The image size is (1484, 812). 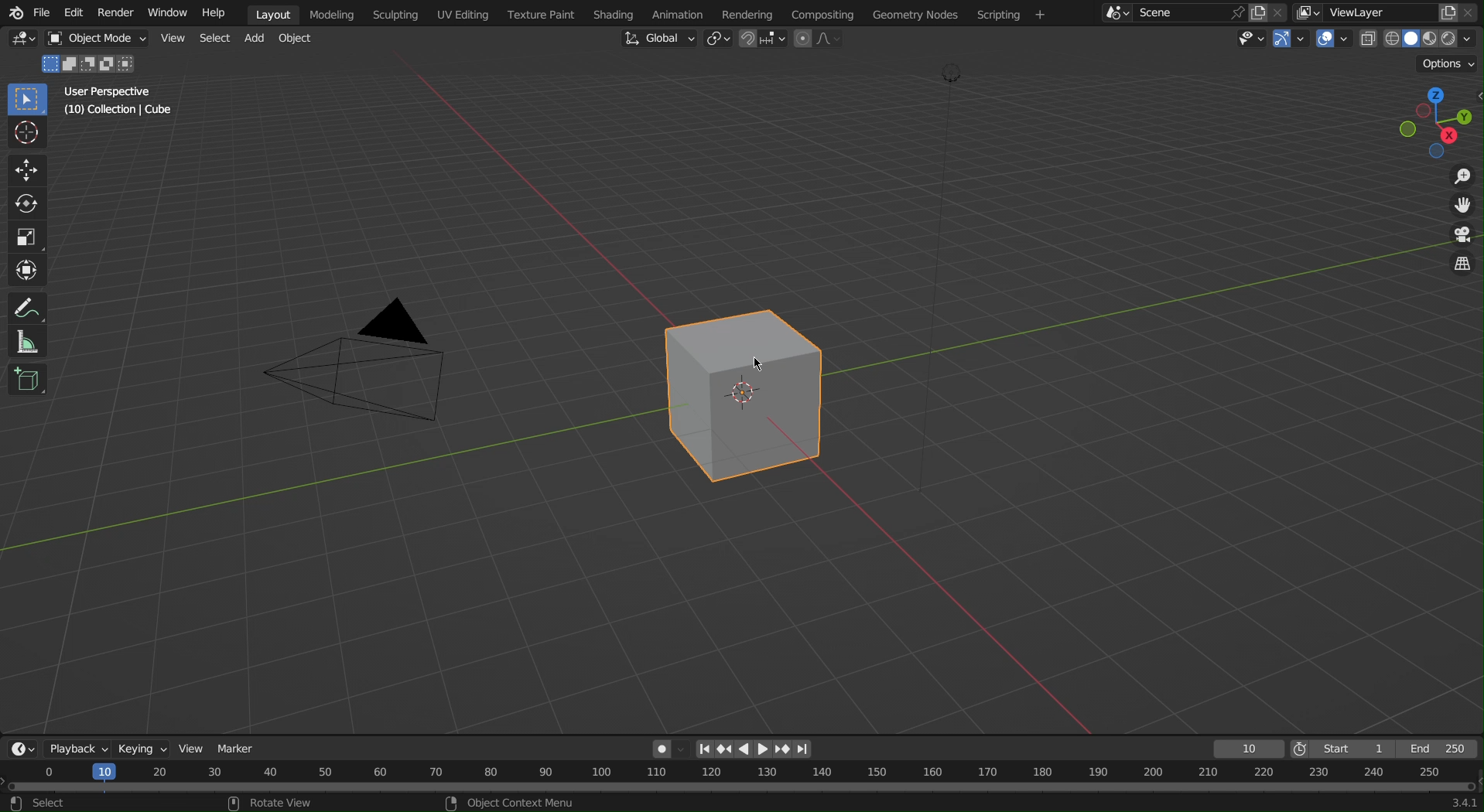 What do you see at coordinates (1334, 39) in the screenshot?
I see `Show Overlays` at bounding box center [1334, 39].